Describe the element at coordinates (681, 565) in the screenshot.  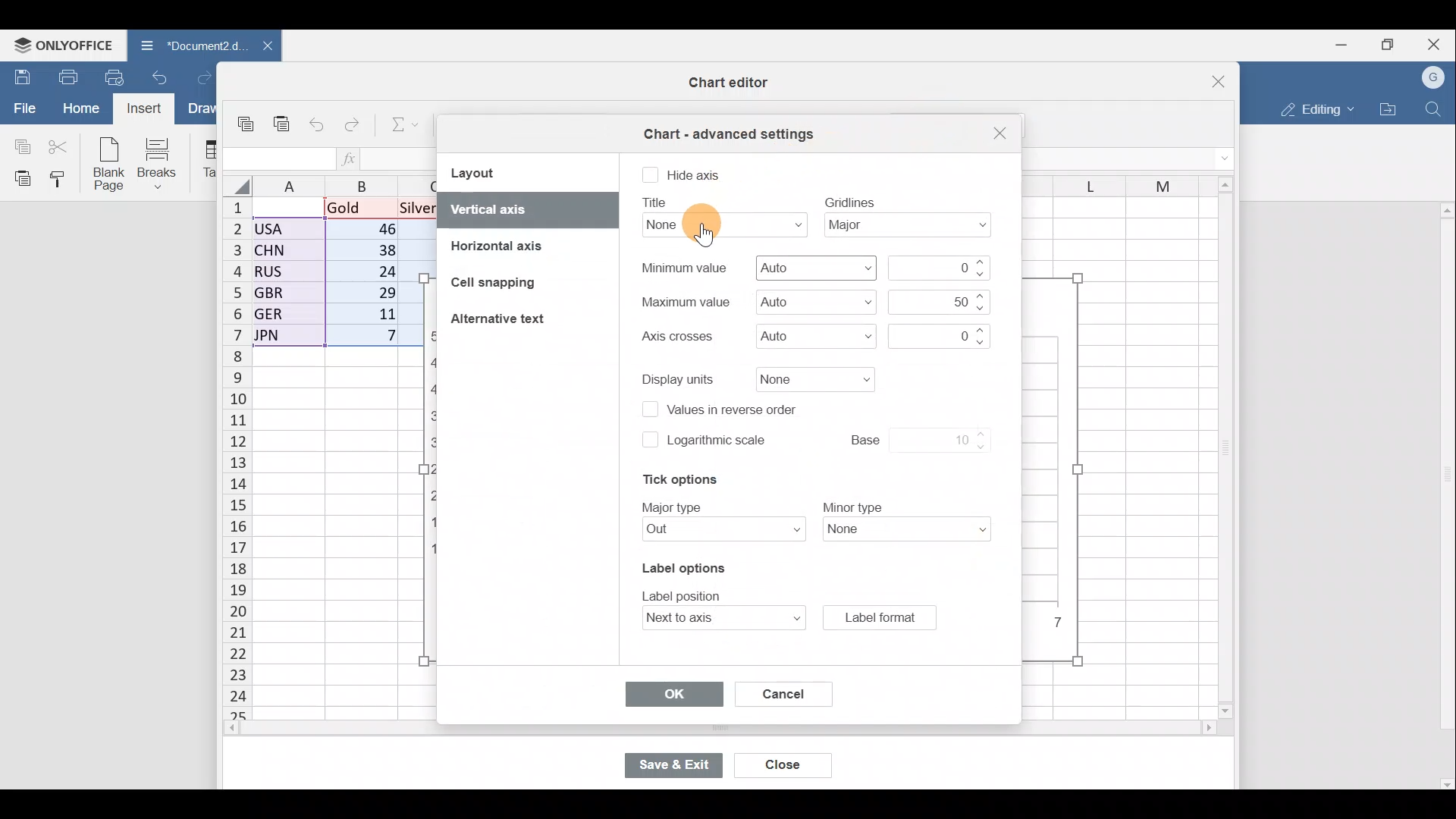
I see `Label options` at that location.